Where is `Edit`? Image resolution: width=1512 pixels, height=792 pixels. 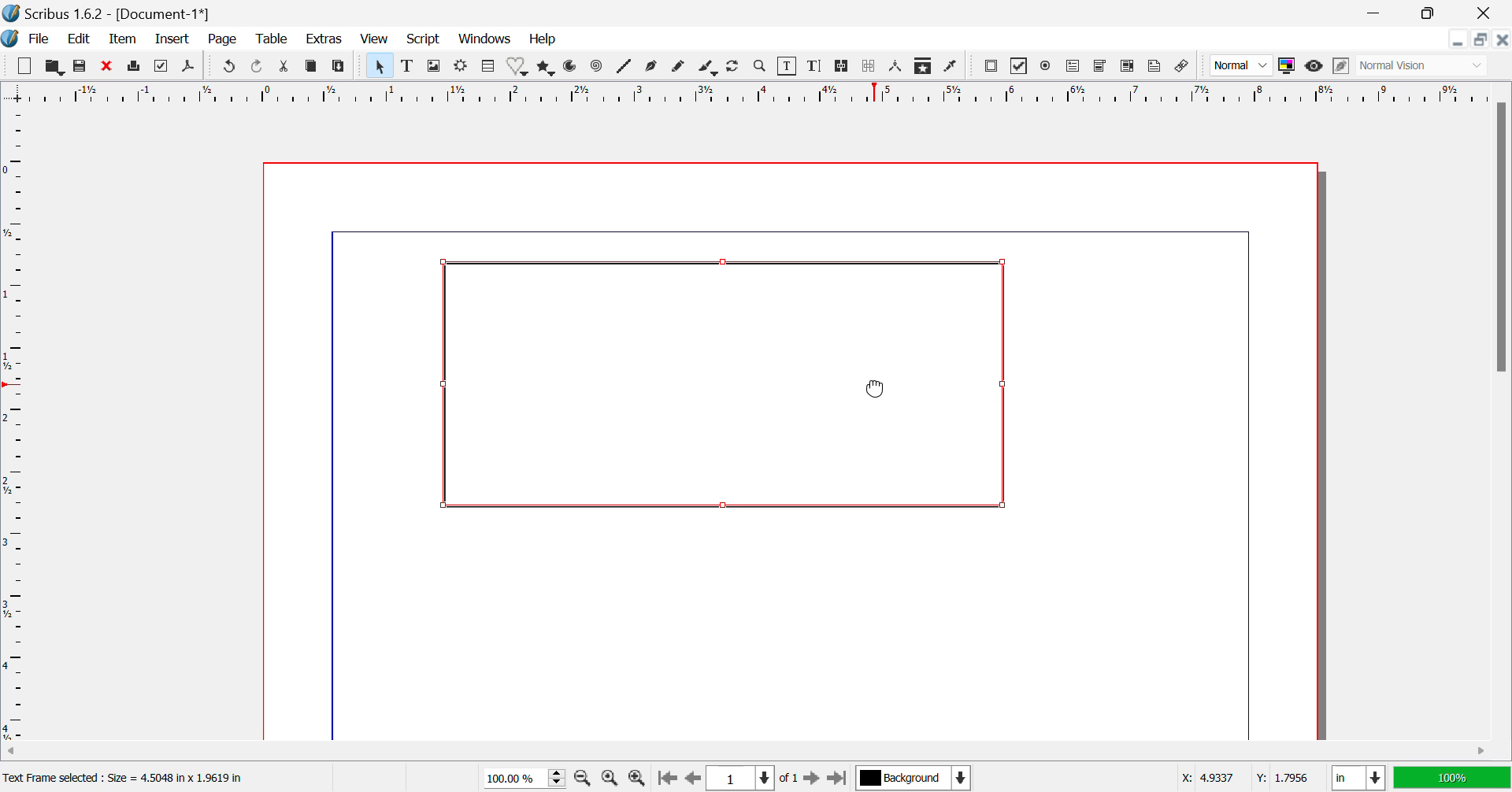 Edit is located at coordinates (81, 41).